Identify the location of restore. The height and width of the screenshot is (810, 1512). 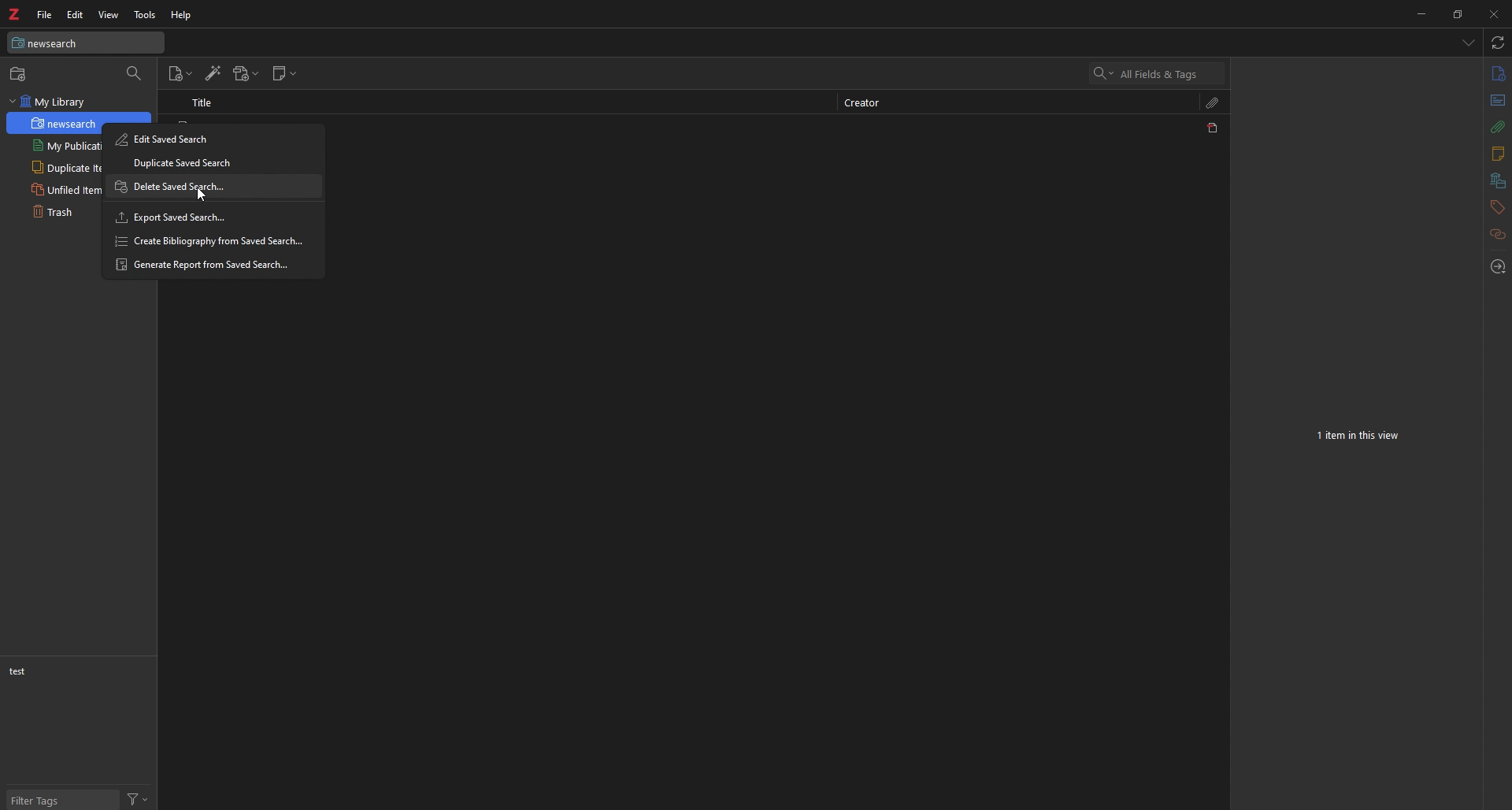
(1460, 14).